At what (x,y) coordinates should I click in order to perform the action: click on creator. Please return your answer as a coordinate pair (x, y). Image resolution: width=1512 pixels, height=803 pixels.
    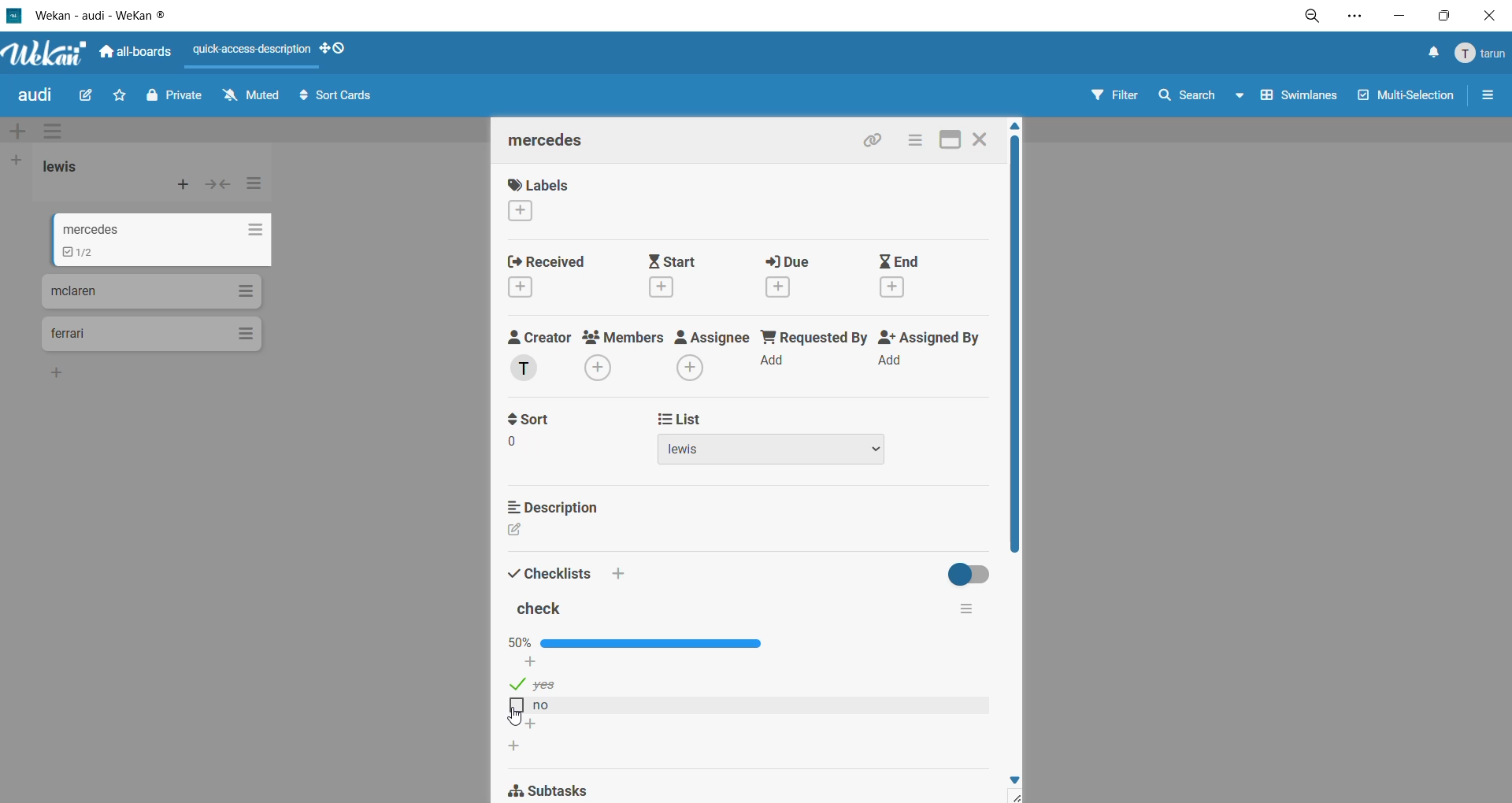
    Looking at the image, I should click on (541, 354).